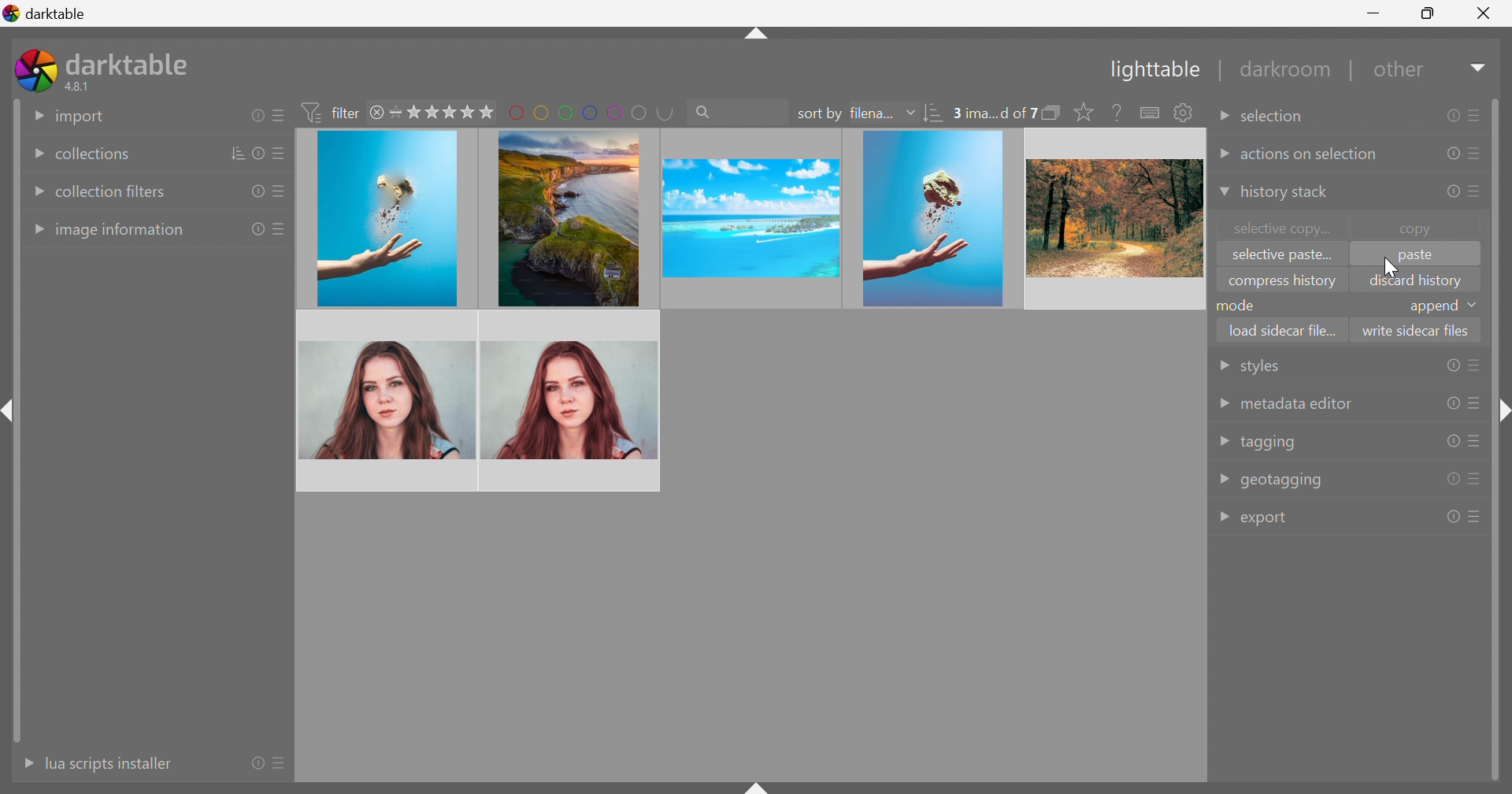 Image resolution: width=1512 pixels, height=794 pixels. I want to click on export, so click(1268, 520).